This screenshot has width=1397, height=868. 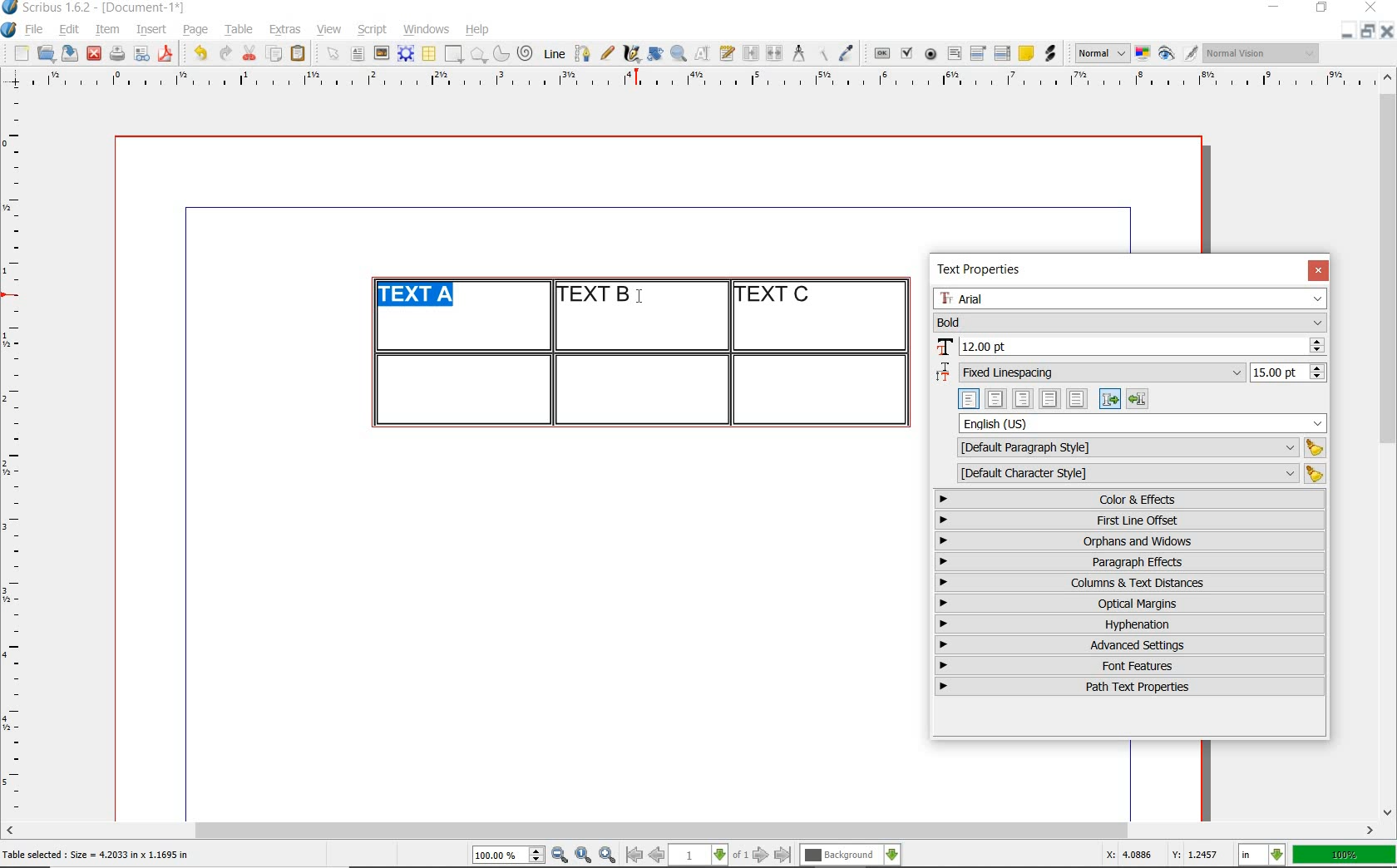 I want to click on zoom in, so click(x=608, y=856).